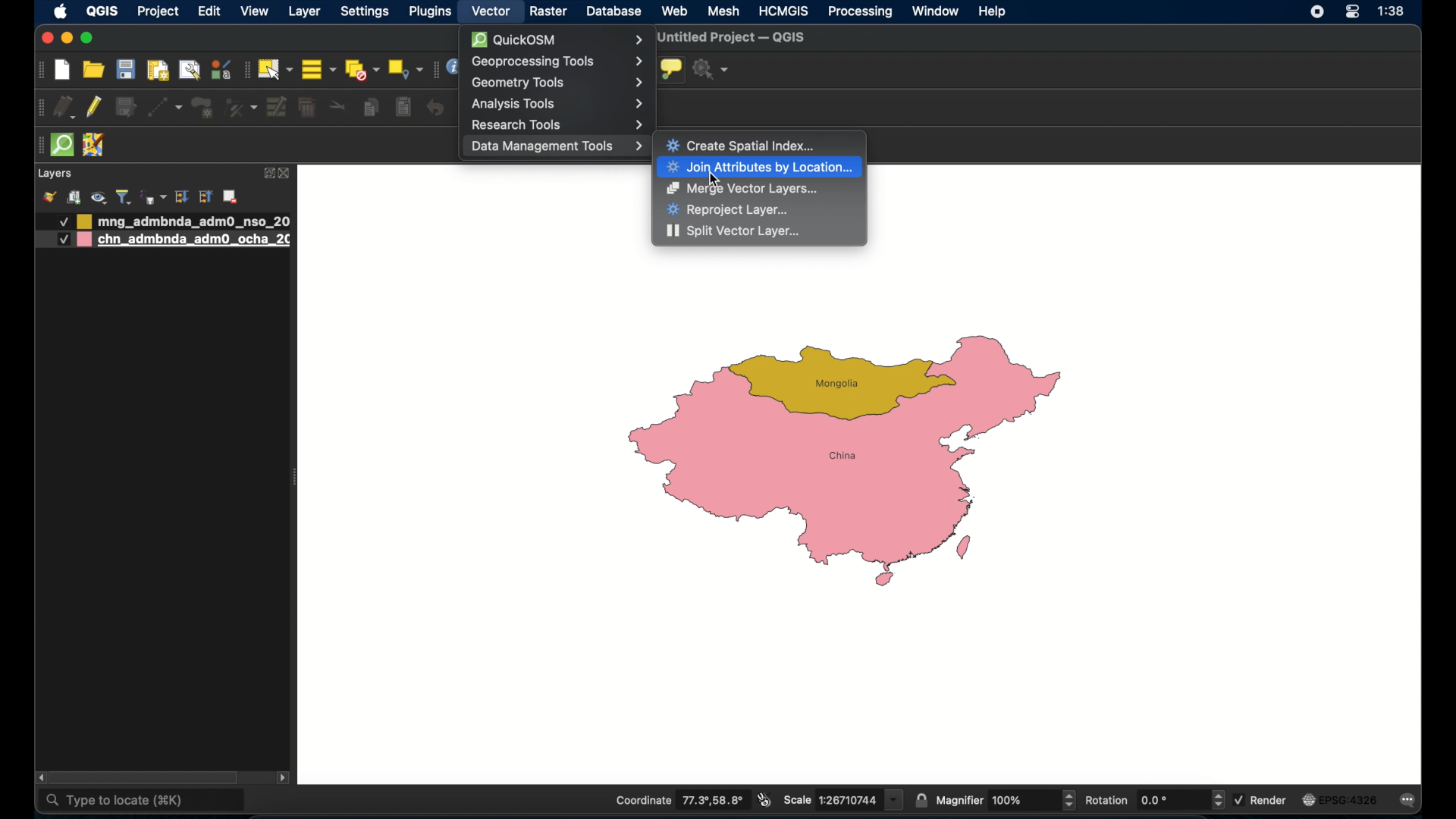 The width and height of the screenshot is (1456, 819). Describe the element at coordinates (852, 465) in the screenshot. I see `maps of china and Mongolia` at that location.